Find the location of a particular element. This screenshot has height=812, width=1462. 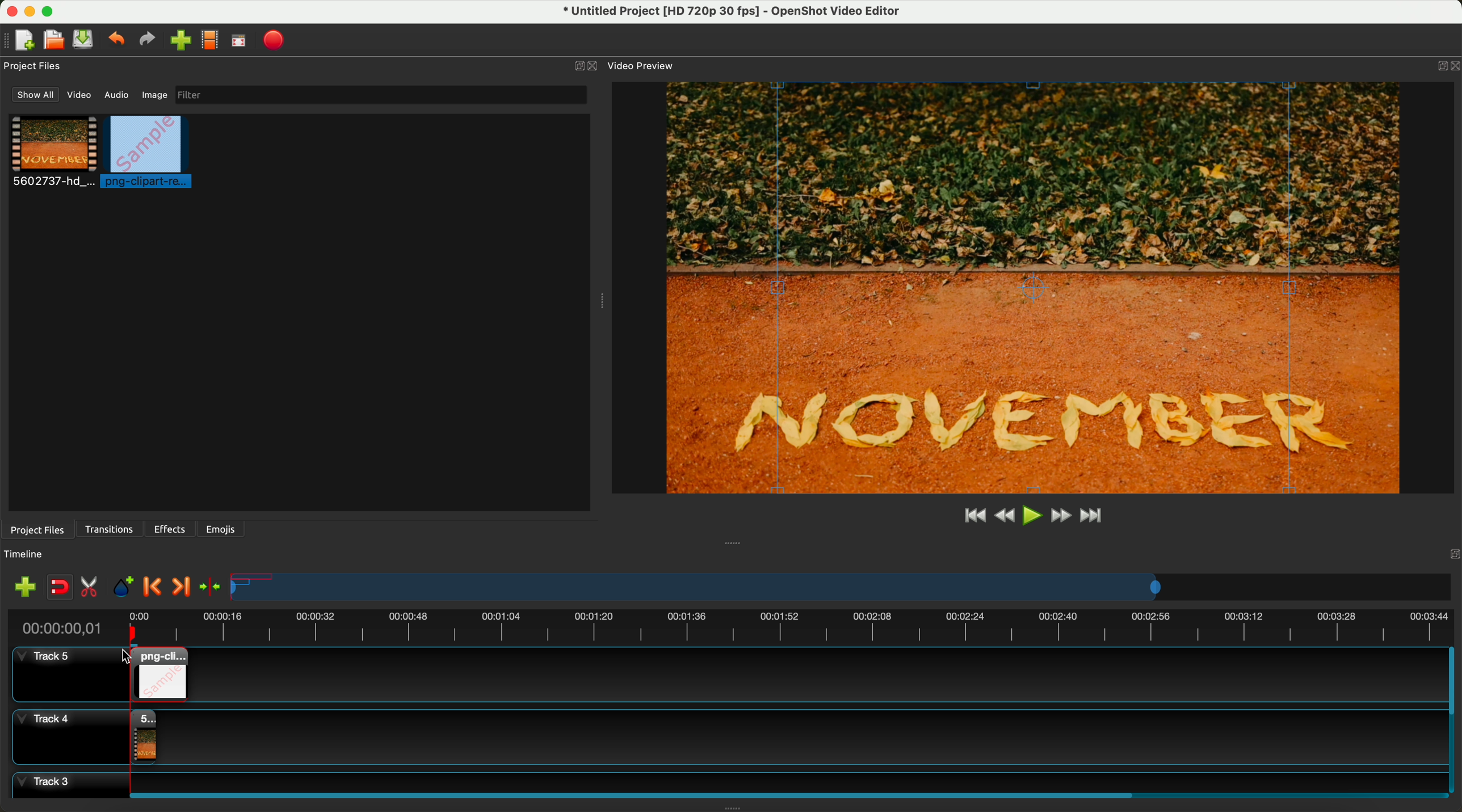

BUTTON is located at coordinates (1439, 63).